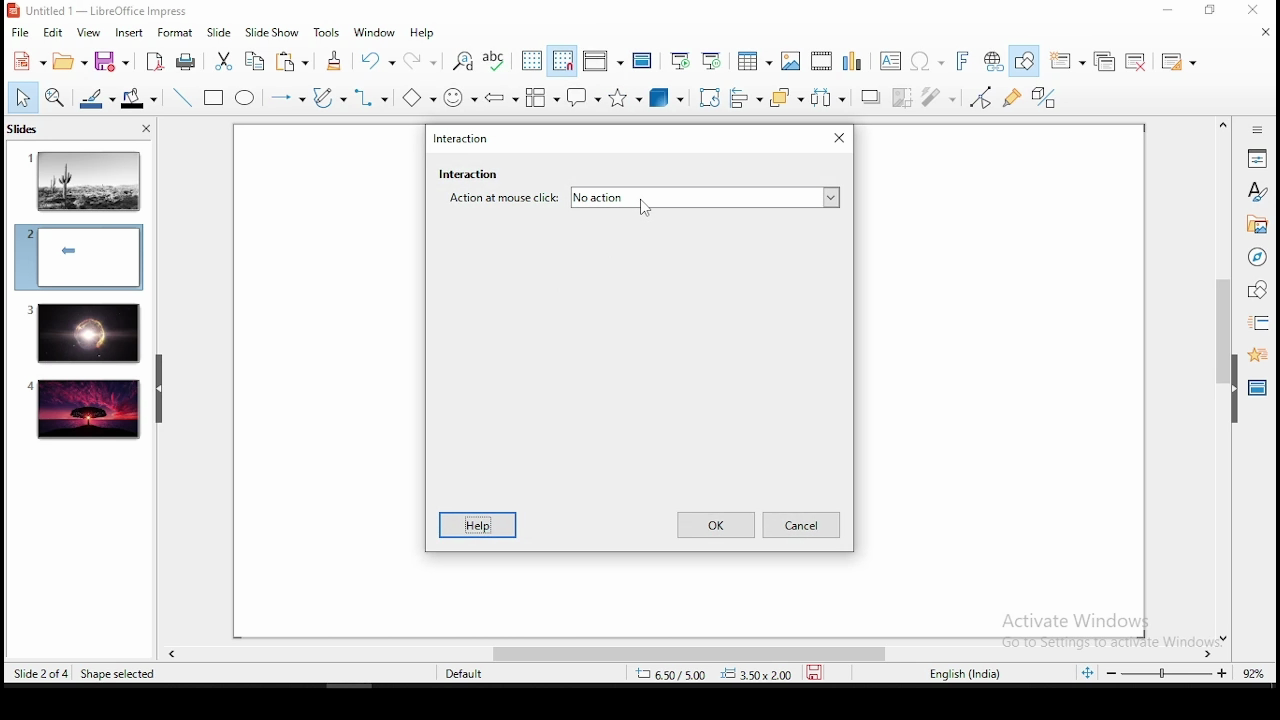  Describe the element at coordinates (626, 97) in the screenshot. I see `stars and banners` at that location.